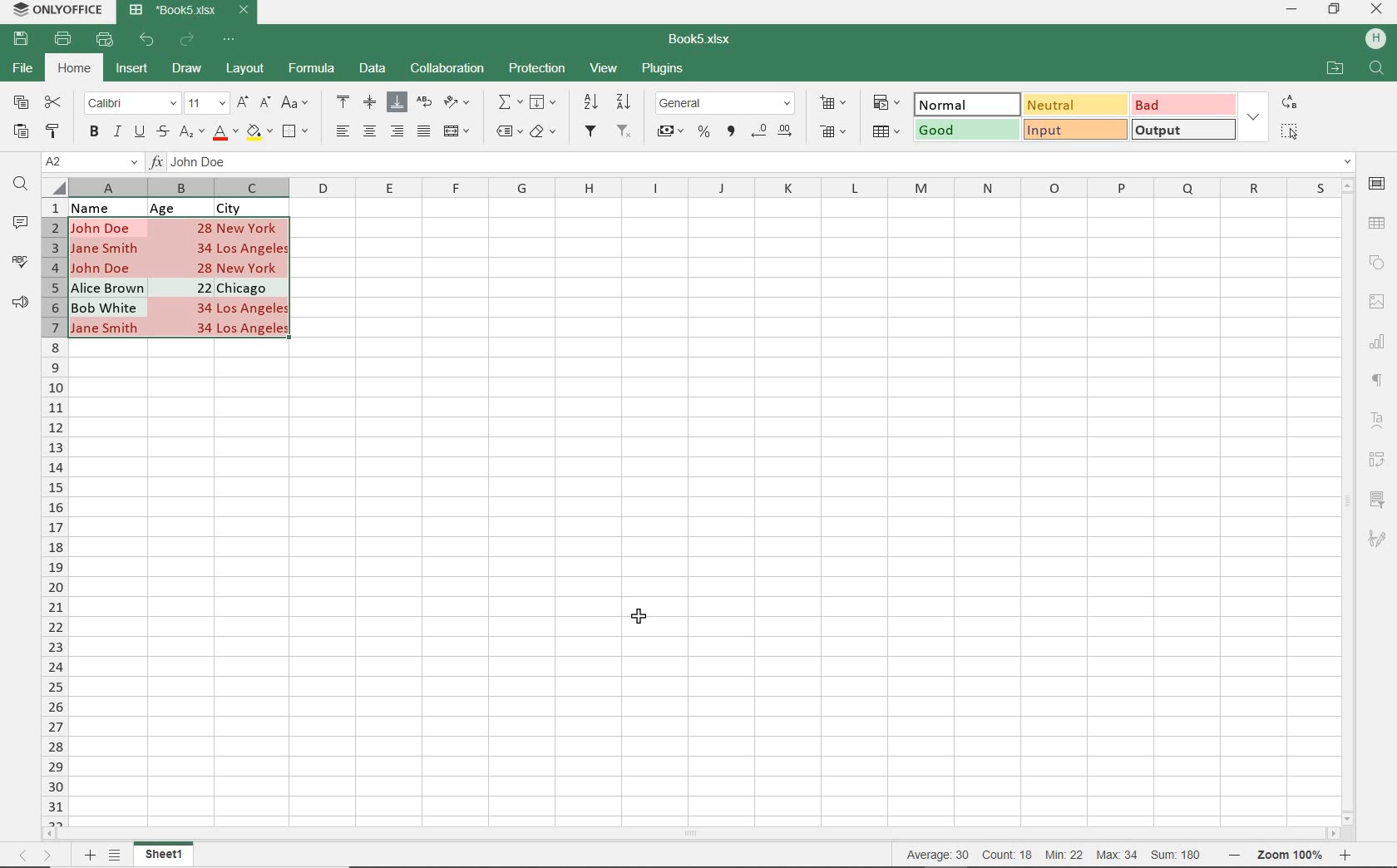  I want to click on CHANGE DECIMAL PLACE, so click(771, 132).